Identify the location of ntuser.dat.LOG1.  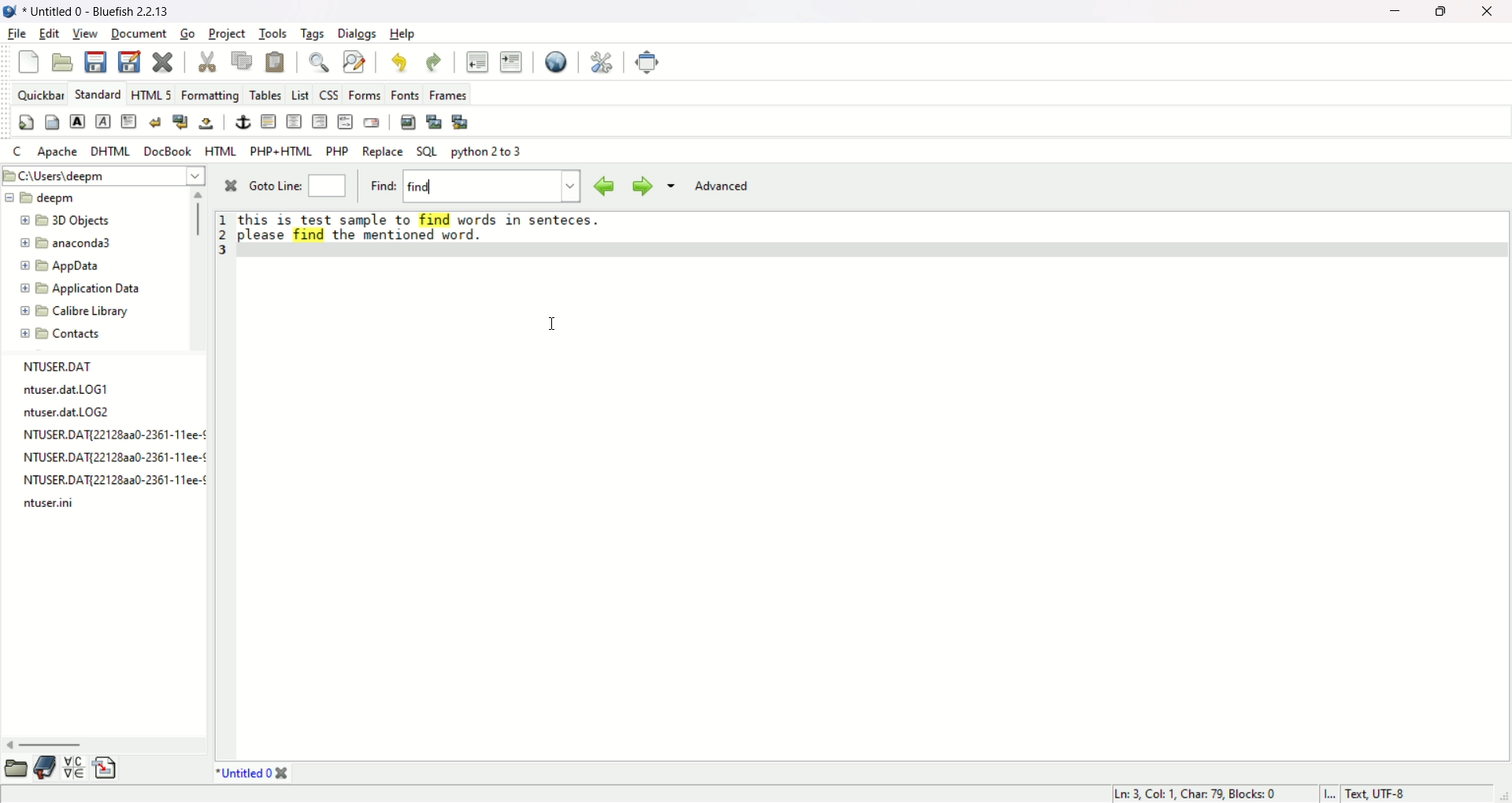
(63, 389).